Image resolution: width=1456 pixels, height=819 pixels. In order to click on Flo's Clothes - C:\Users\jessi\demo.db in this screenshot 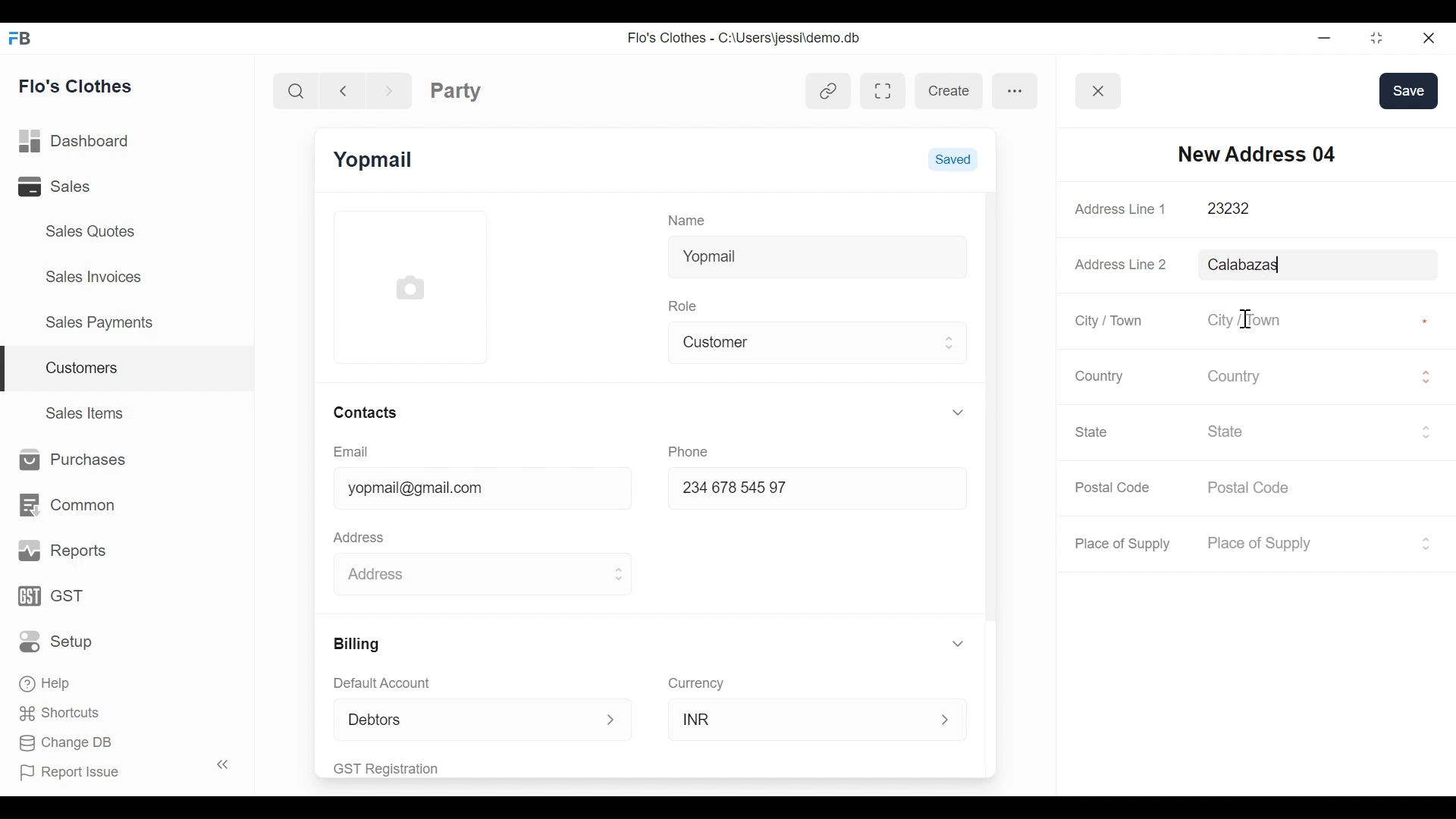, I will do `click(746, 39)`.